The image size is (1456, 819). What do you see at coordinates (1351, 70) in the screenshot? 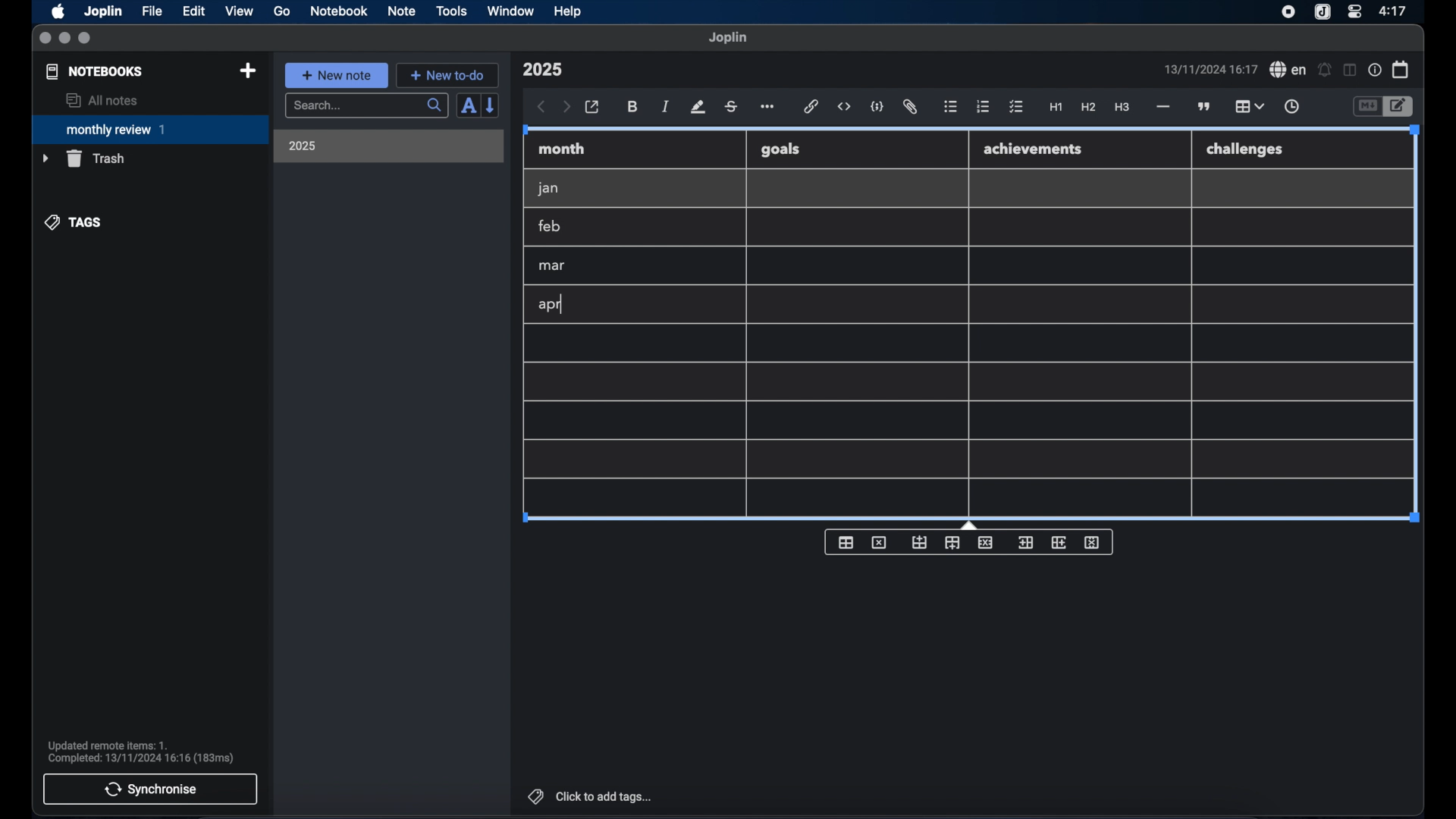
I see `toggle editor layout` at bounding box center [1351, 70].